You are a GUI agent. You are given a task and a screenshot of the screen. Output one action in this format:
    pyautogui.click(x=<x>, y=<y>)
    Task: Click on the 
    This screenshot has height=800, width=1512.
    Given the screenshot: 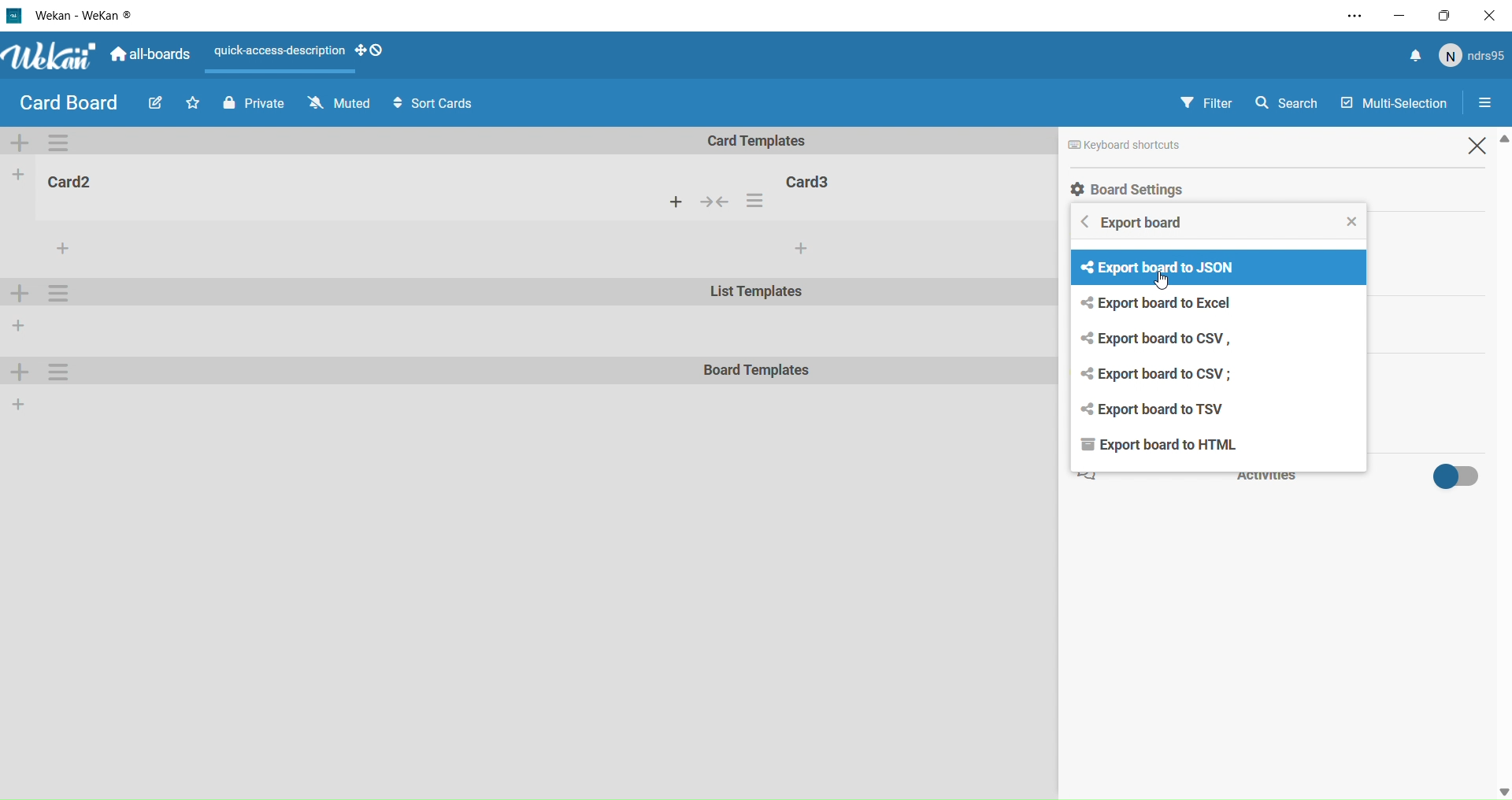 What is the action you would take?
    pyautogui.click(x=62, y=248)
    